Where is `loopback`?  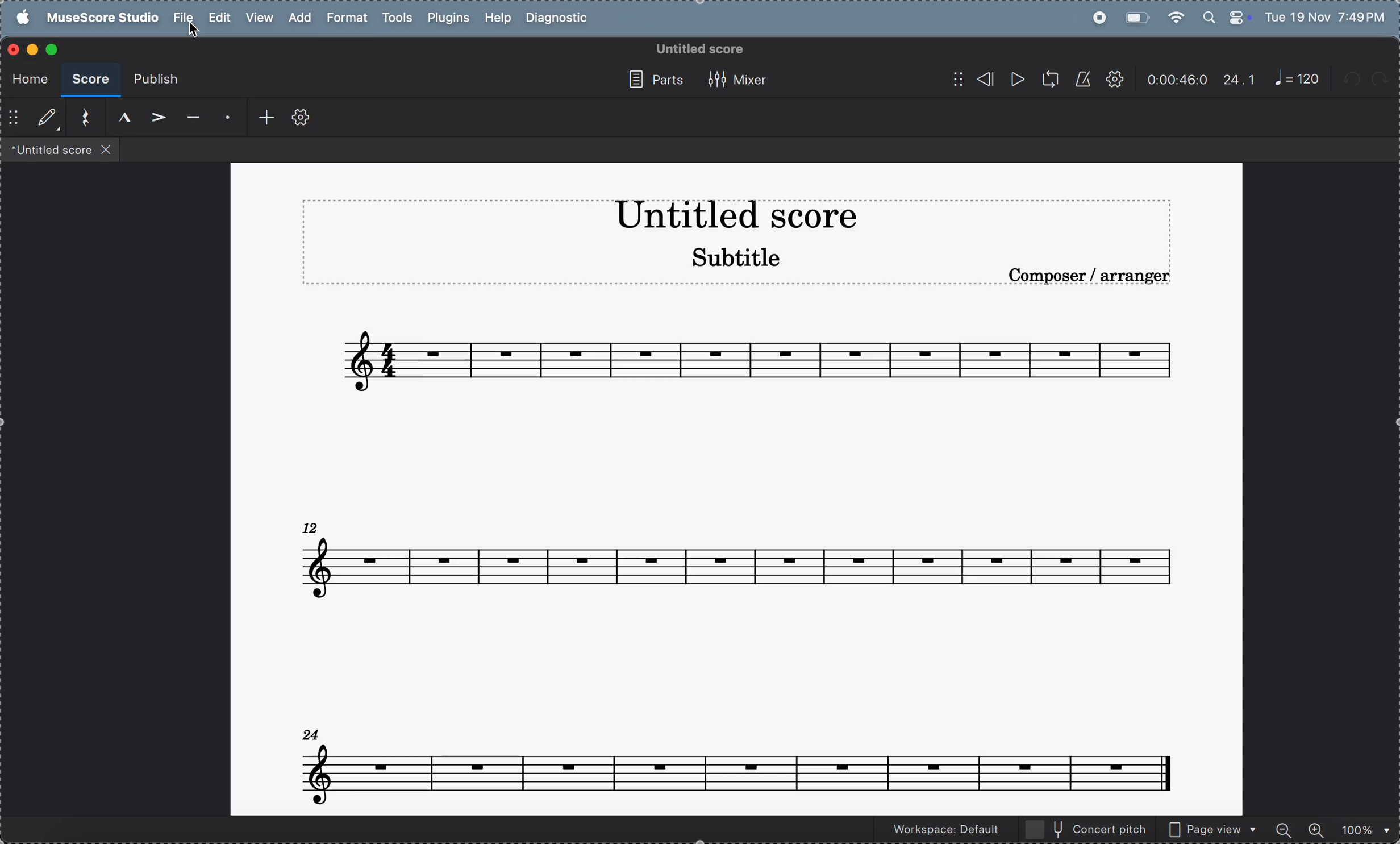
loopback is located at coordinates (1046, 80).